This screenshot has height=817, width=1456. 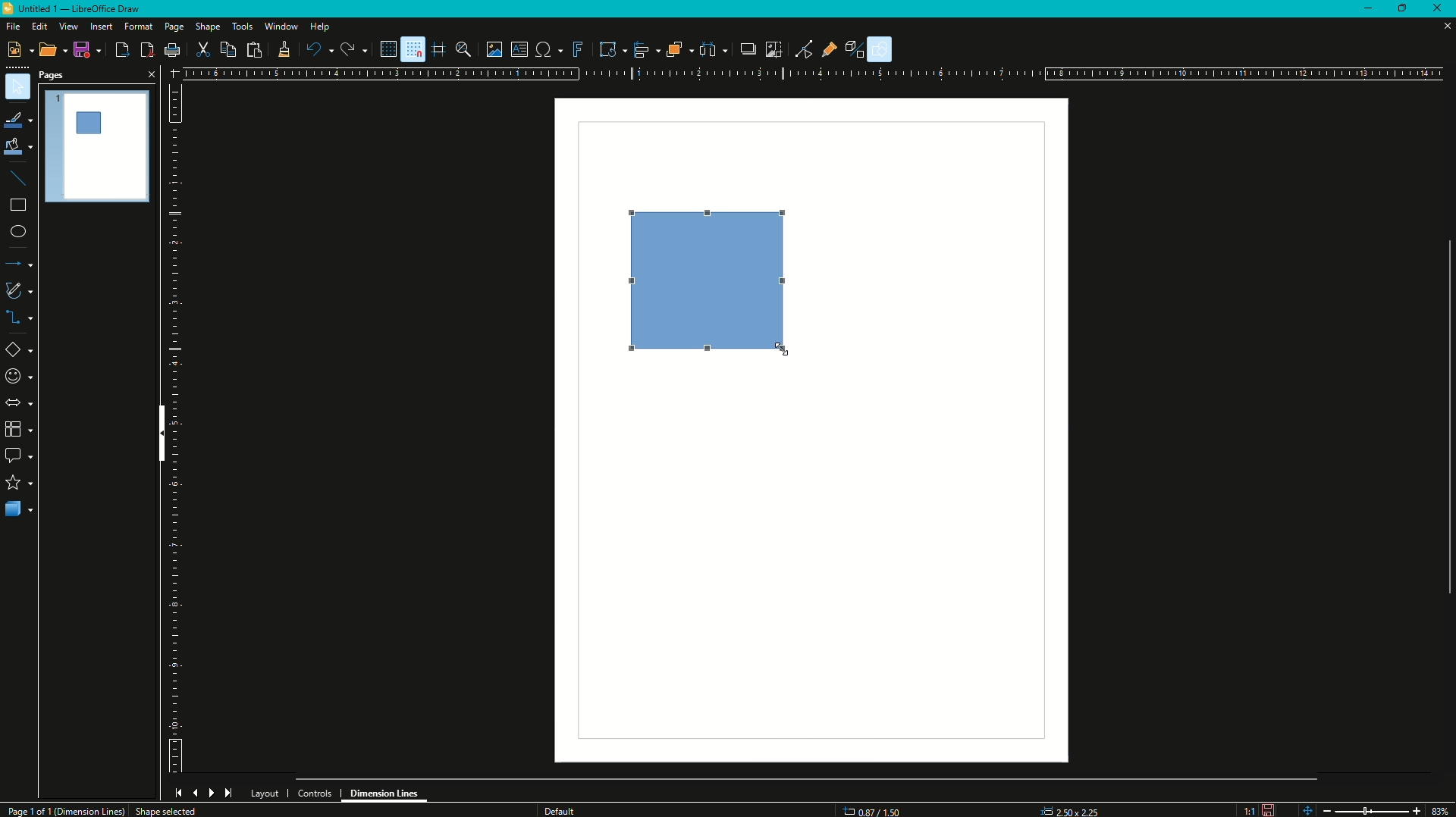 I want to click on Cut, so click(x=203, y=49).